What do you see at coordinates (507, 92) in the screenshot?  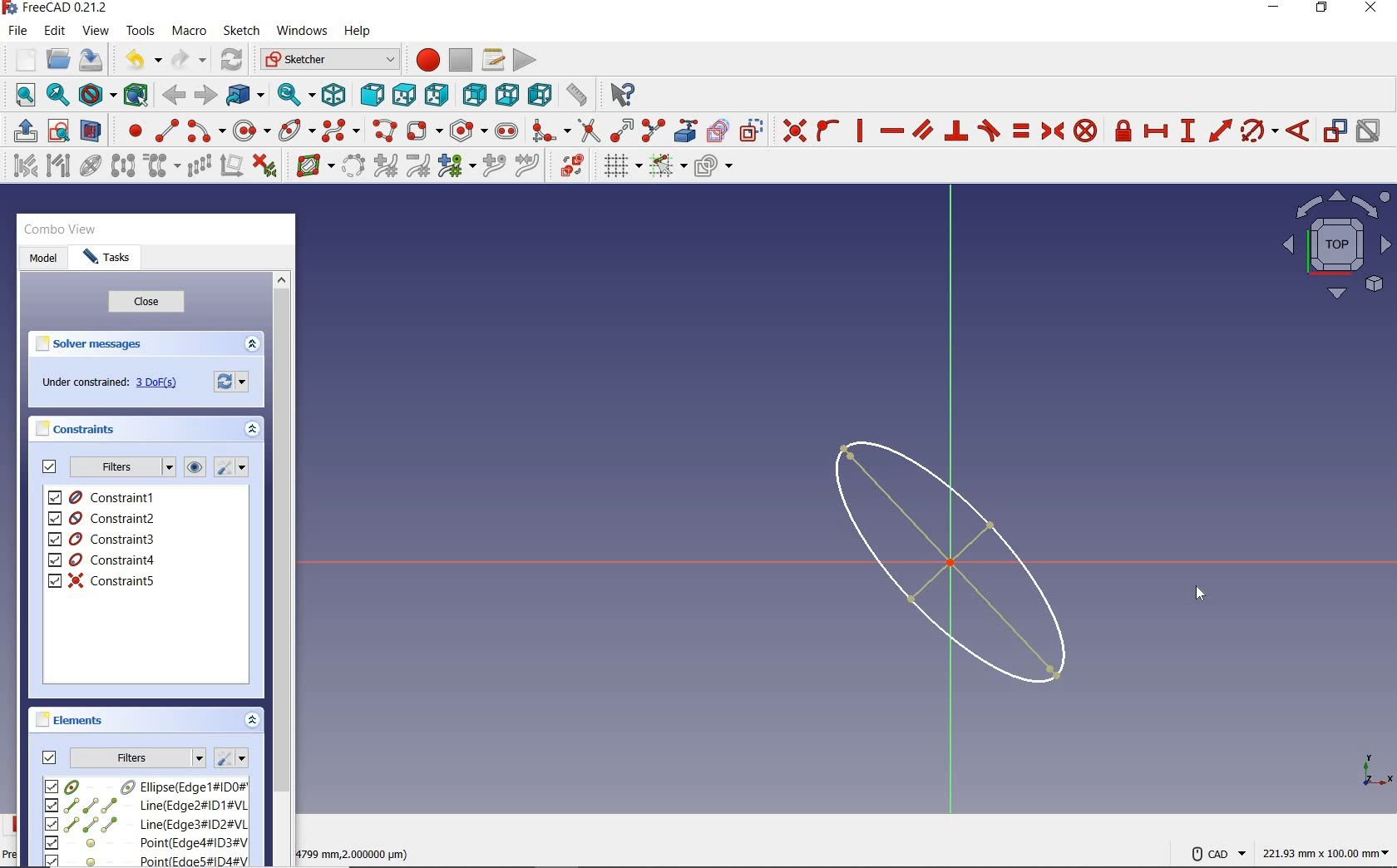 I see `bottom` at bounding box center [507, 92].